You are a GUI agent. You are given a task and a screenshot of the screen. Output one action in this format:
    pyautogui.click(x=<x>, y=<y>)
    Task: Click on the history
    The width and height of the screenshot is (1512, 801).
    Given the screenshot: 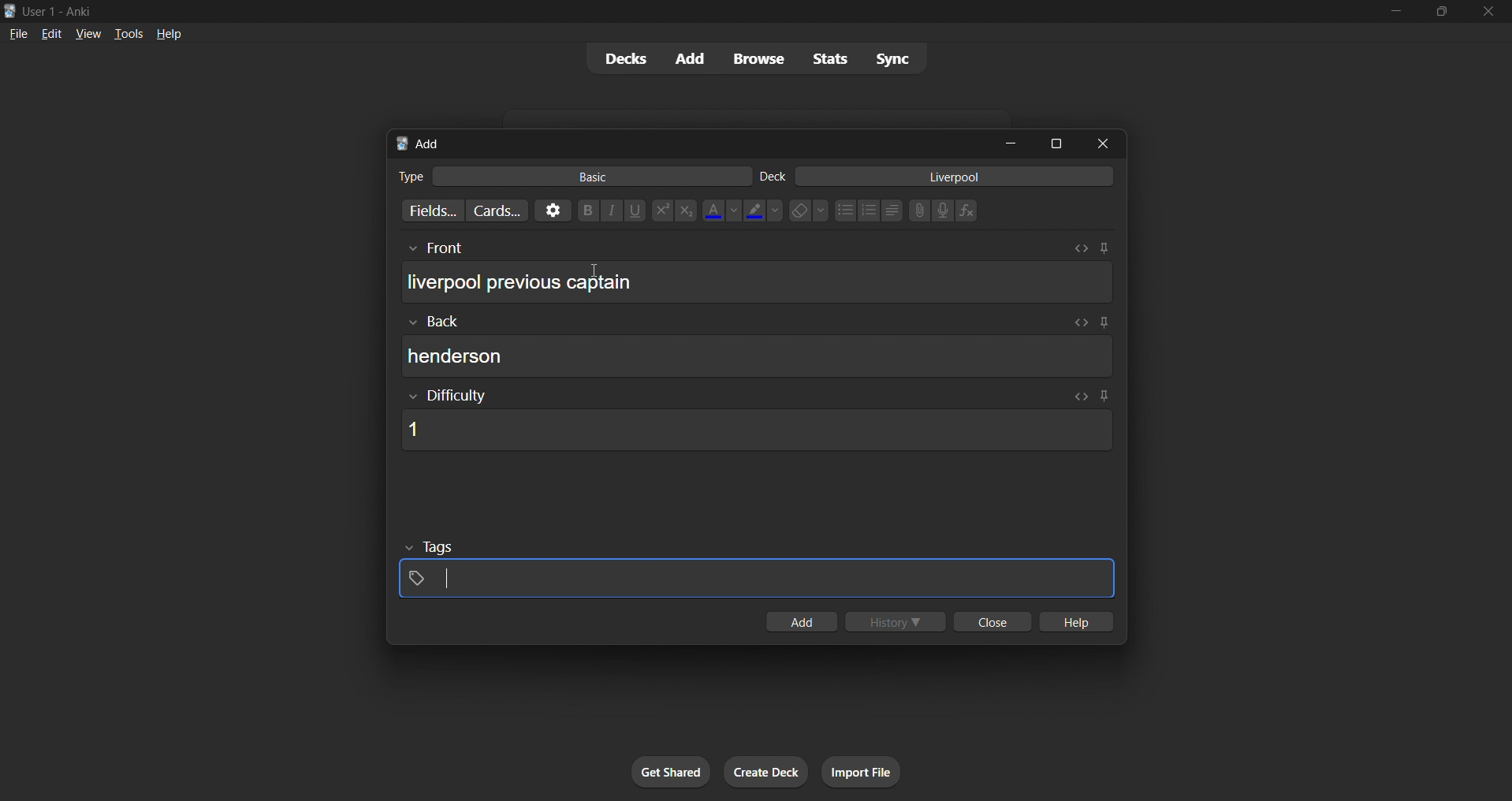 What is the action you would take?
    pyautogui.click(x=898, y=623)
    